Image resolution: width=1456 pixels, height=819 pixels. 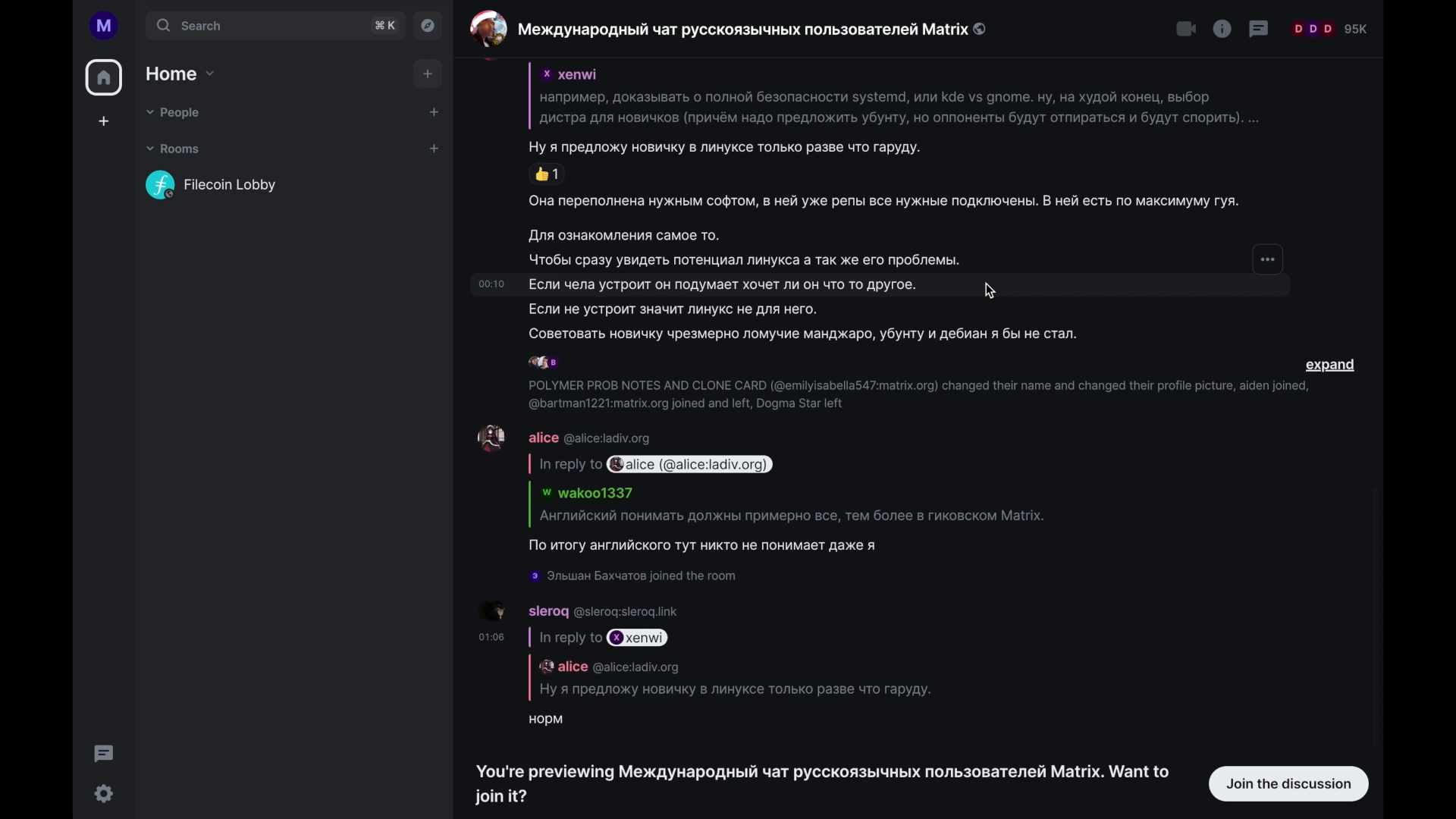 What do you see at coordinates (990, 290) in the screenshot?
I see `cursor` at bounding box center [990, 290].